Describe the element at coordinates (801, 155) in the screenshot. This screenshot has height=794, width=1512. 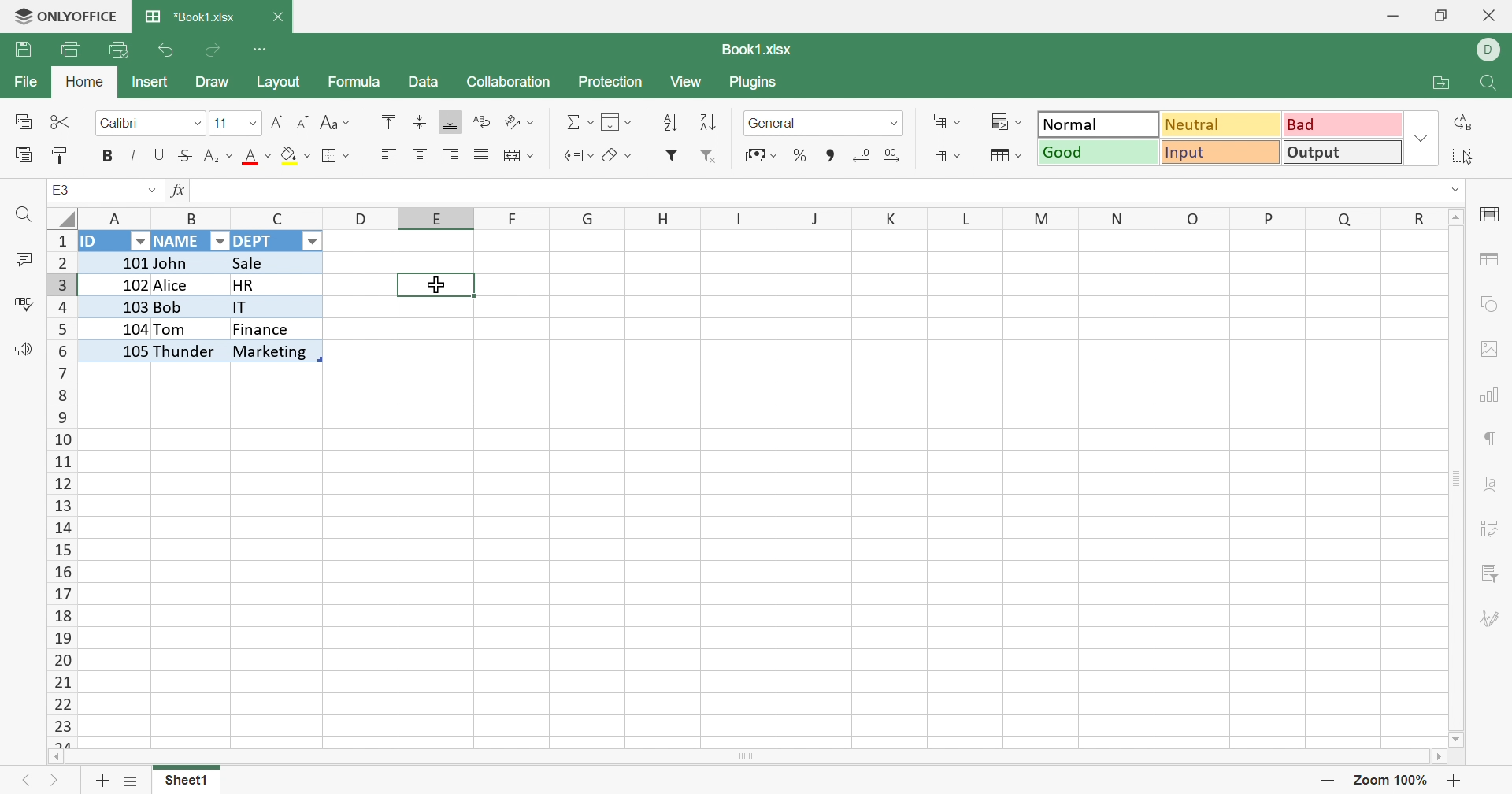
I see `Percent` at that location.